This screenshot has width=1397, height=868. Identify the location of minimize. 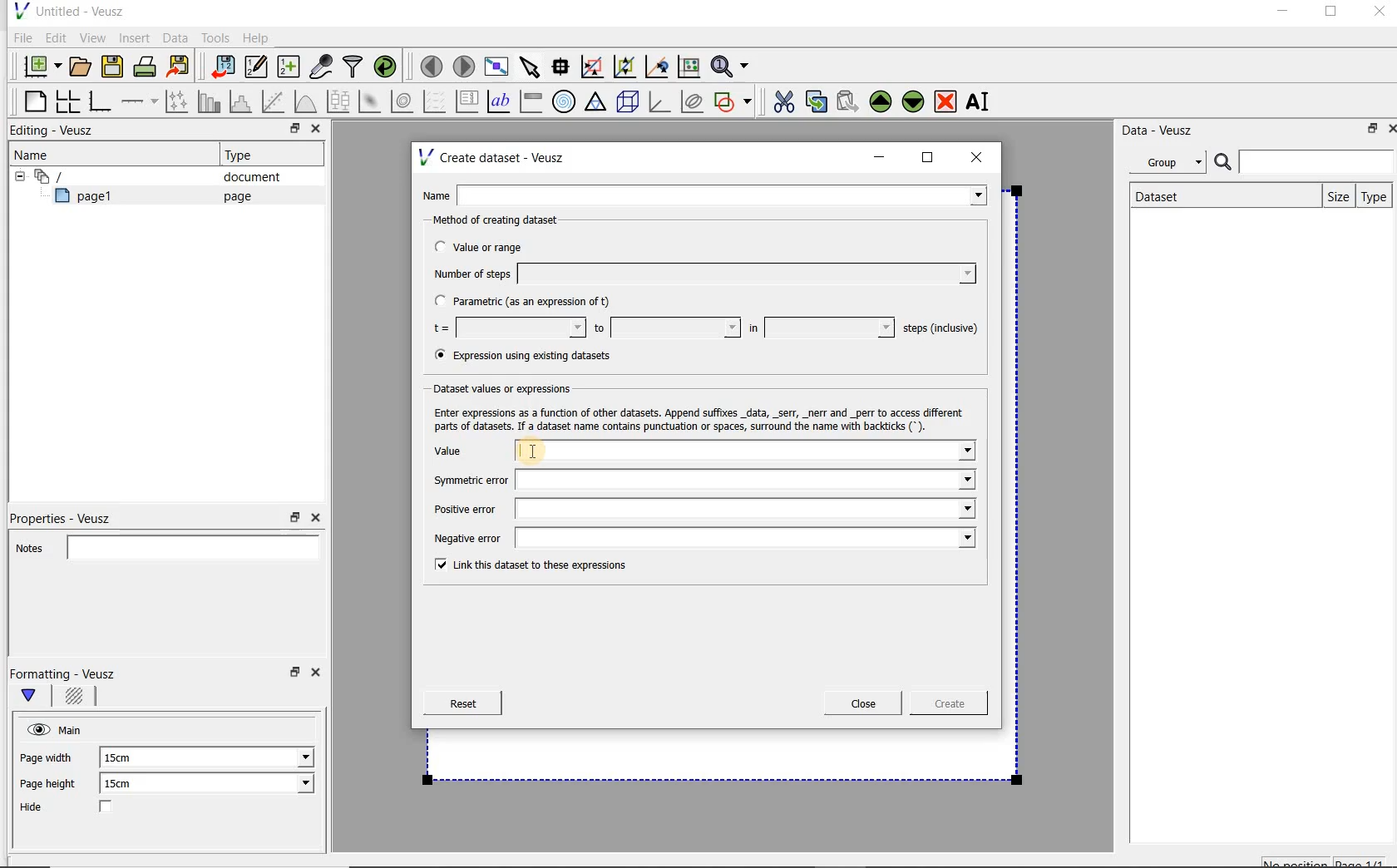
(1281, 13).